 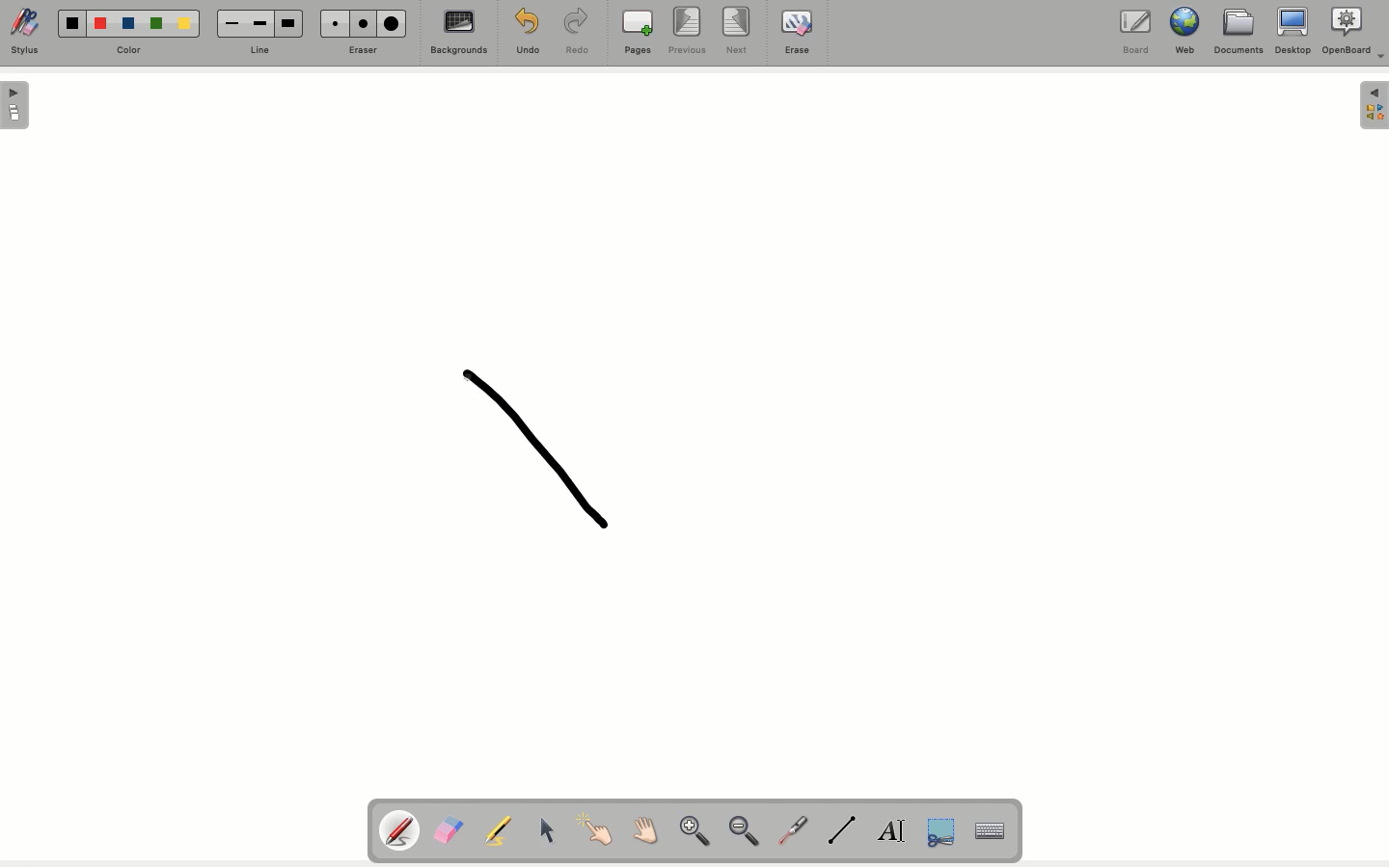 I want to click on Medium, so click(x=259, y=24).